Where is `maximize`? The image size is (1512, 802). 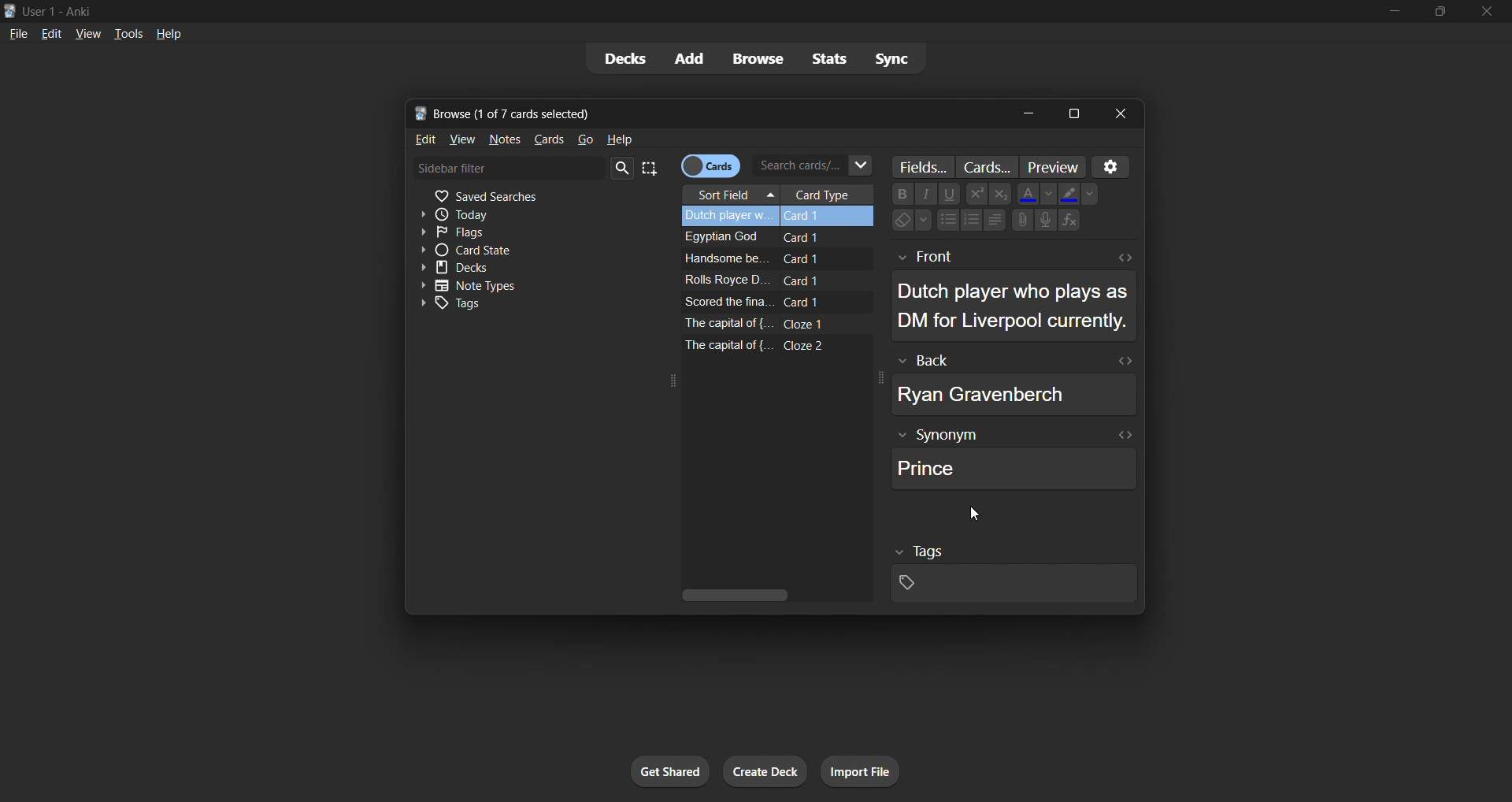
maximize is located at coordinates (1073, 114).